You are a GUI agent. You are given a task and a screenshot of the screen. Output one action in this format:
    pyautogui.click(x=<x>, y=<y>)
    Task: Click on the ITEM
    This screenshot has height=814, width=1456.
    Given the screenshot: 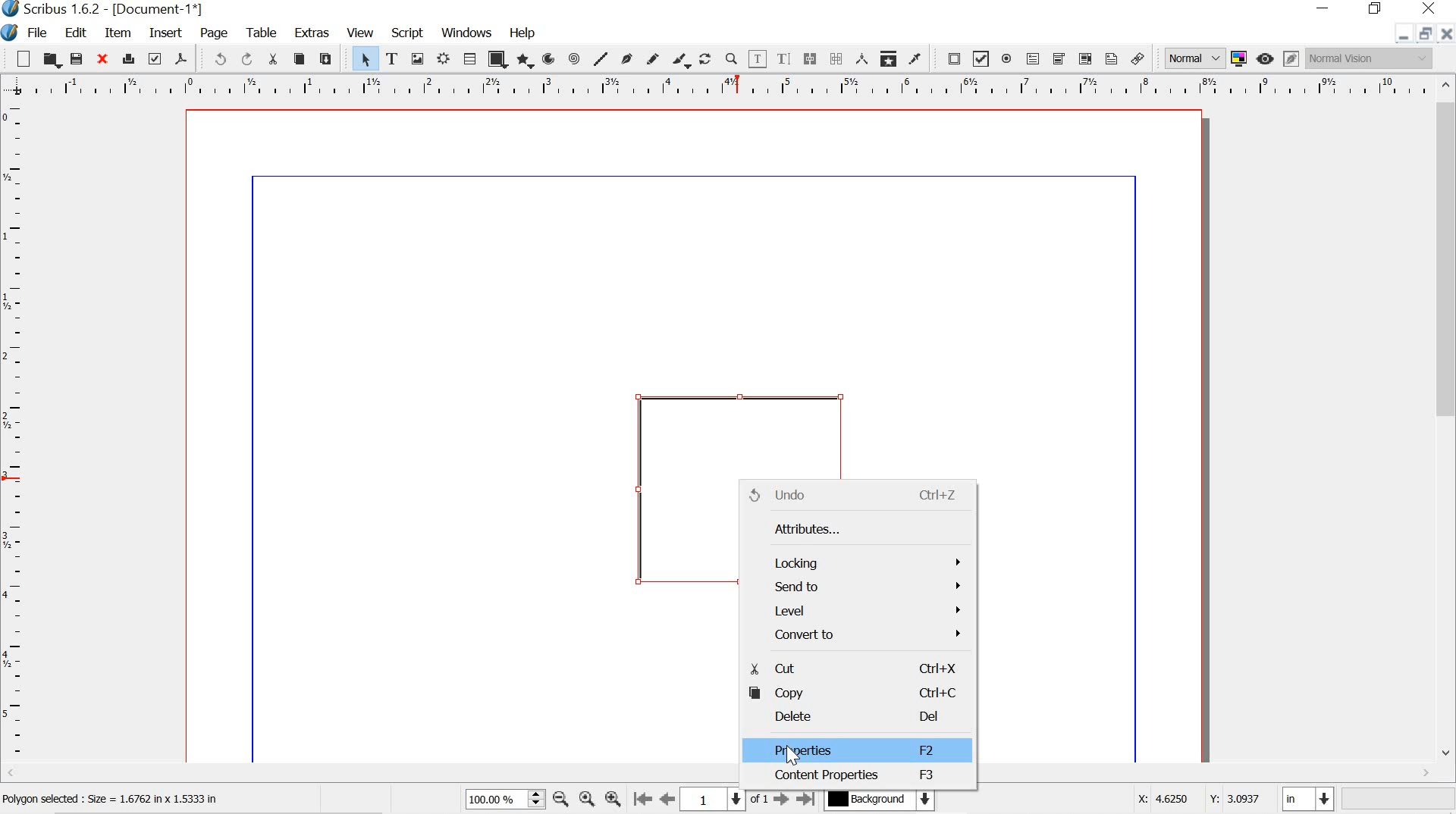 What is the action you would take?
    pyautogui.click(x=119, y=33)
    